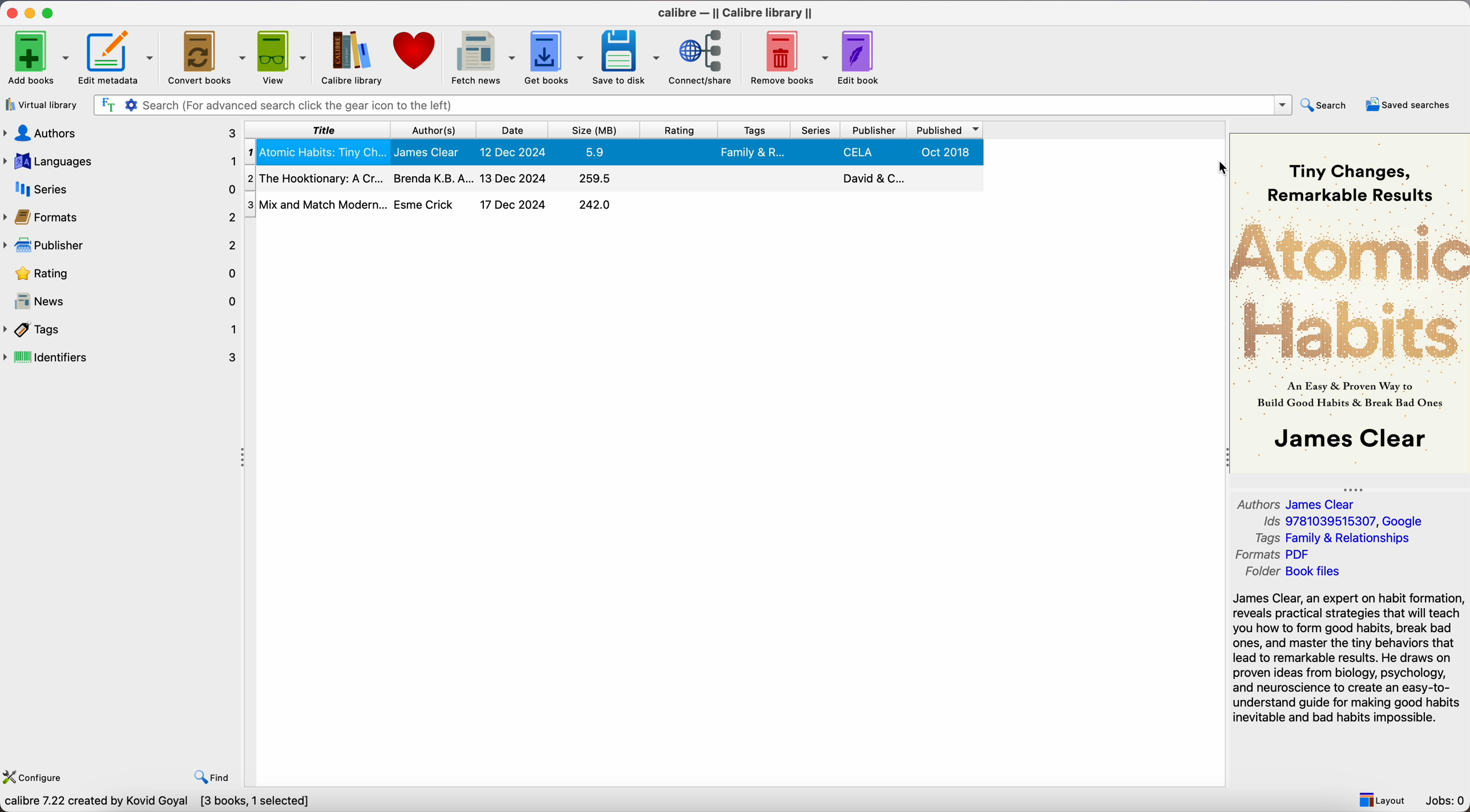 The height and width of the screenshot is (812, 1470). I want to click on search, so click(1327, 104).